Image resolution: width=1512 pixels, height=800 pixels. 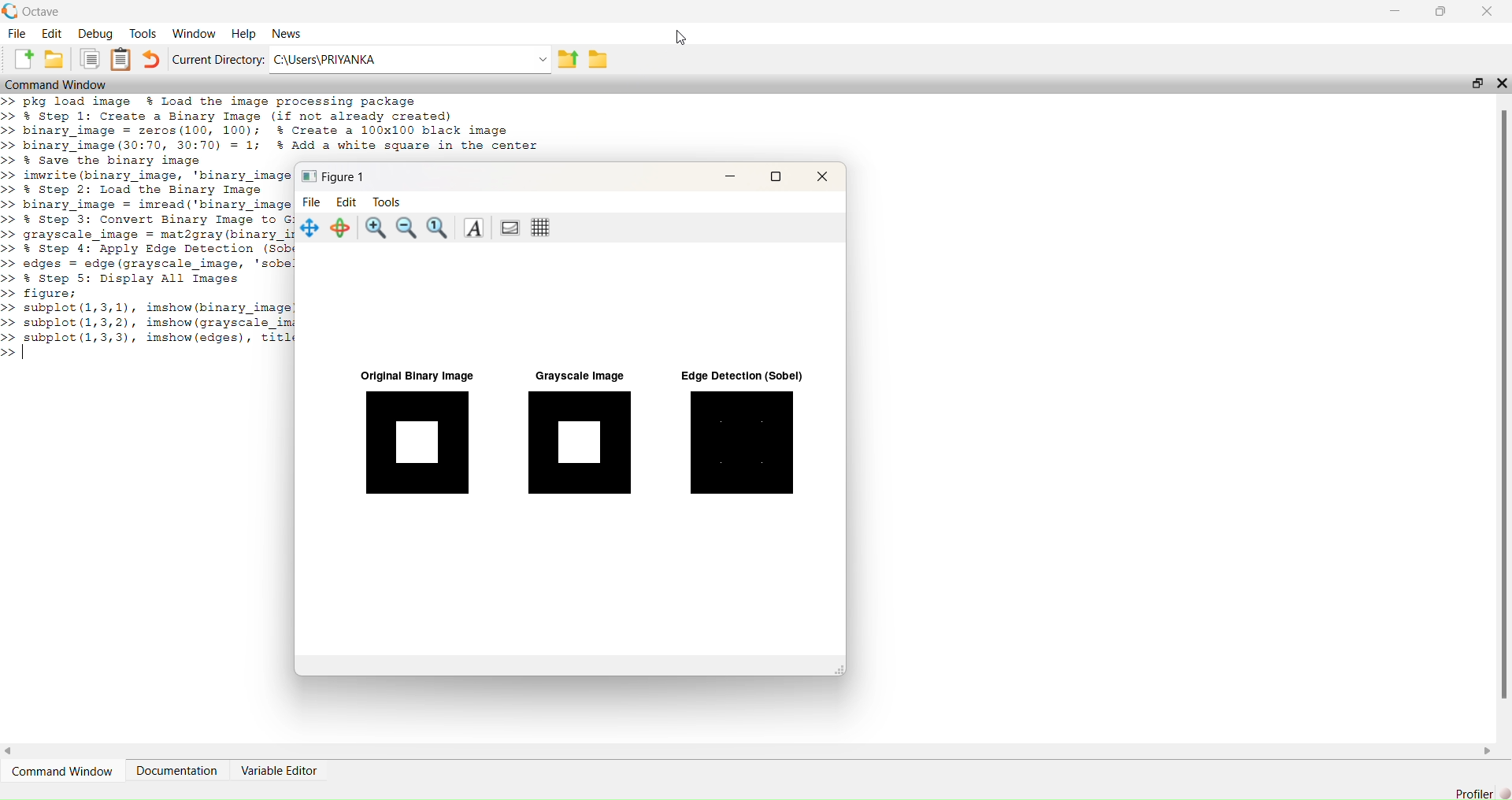 I want to click on edit, so click(x=347, y=202).